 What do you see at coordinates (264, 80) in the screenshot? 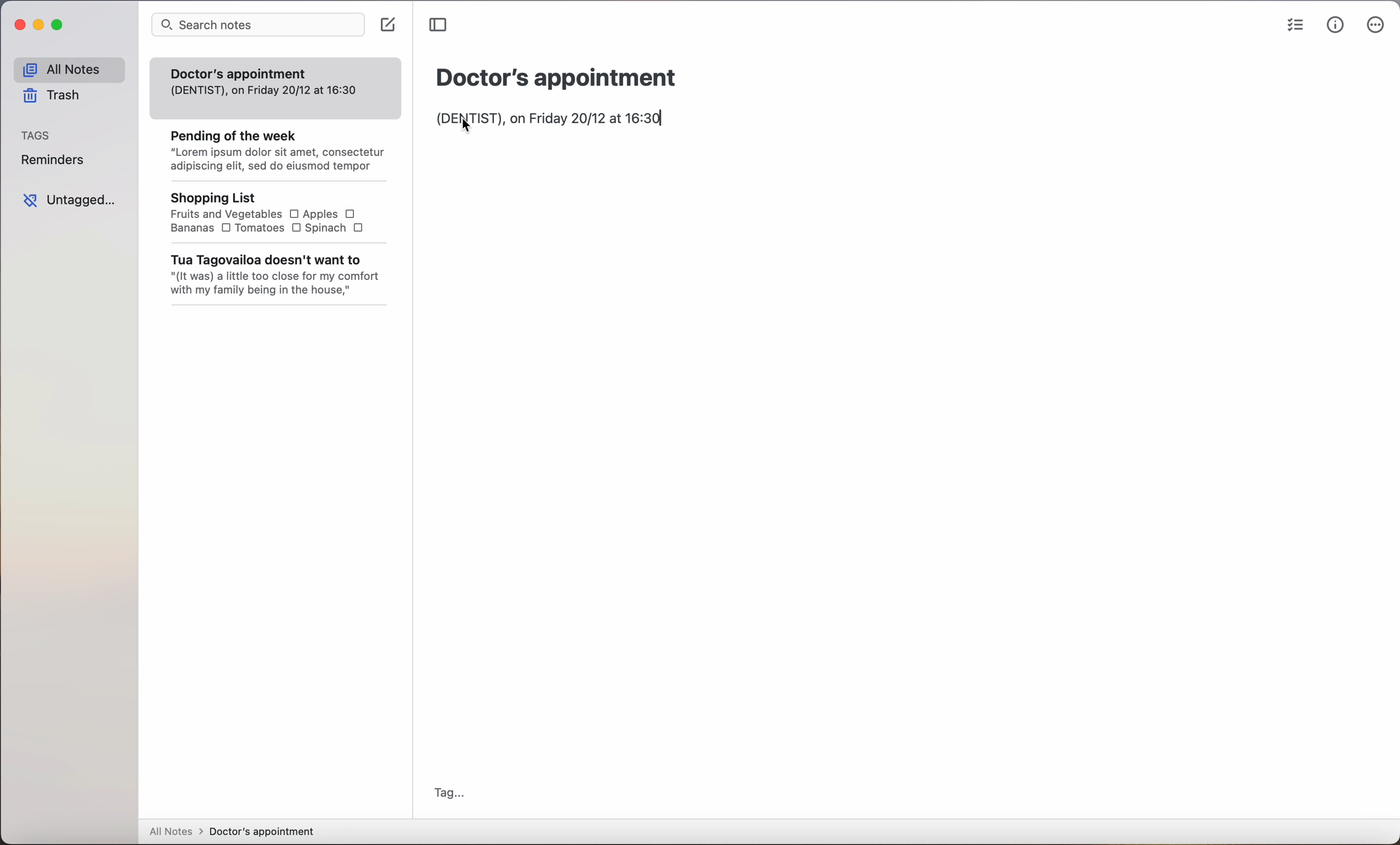
I see `Doctor's appointment
(DENTIST), on Friday 20/12 at 16:30` at bounding box center [264, 80].